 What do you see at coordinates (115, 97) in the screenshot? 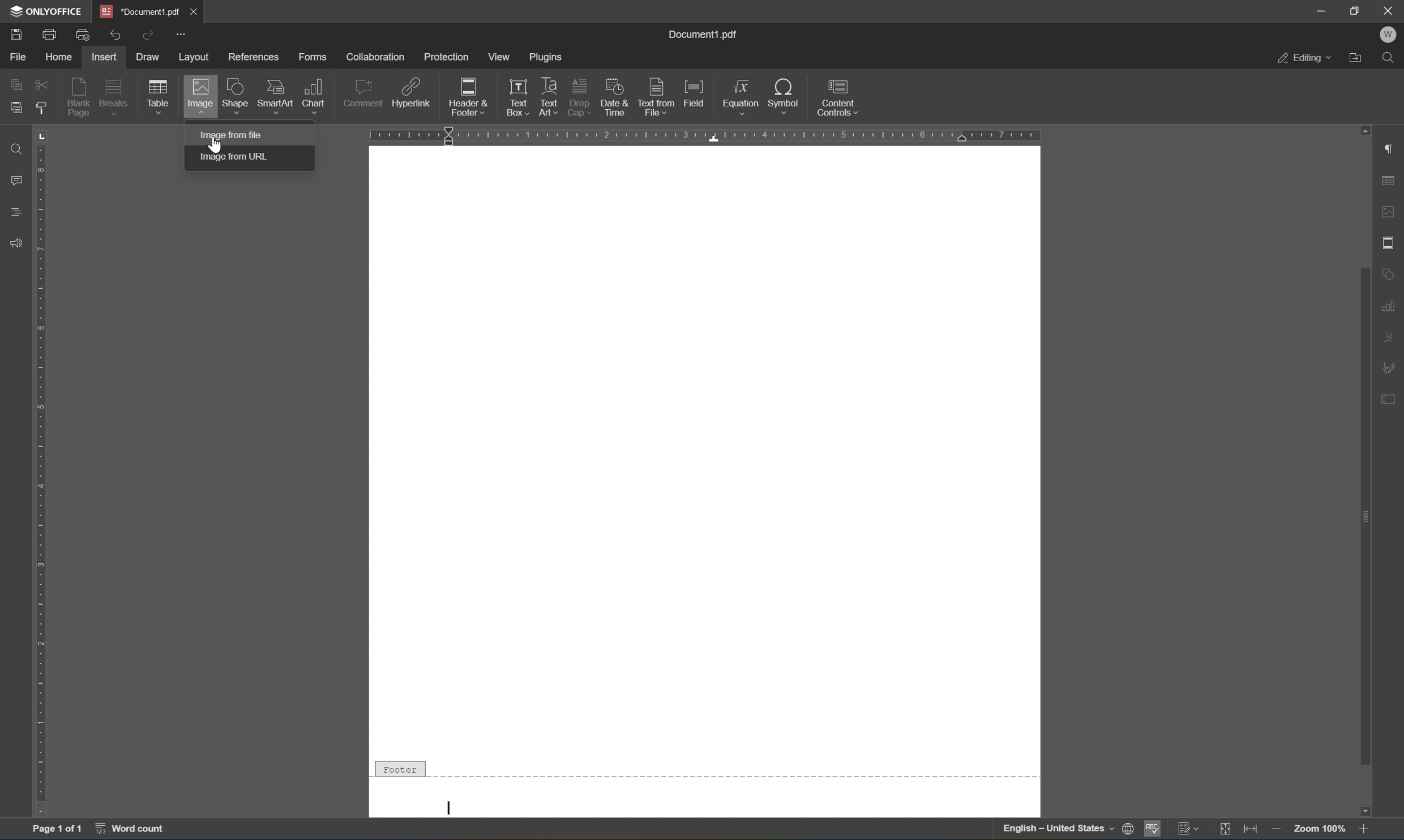
I see `breaks` at bounding box center [115, 97].